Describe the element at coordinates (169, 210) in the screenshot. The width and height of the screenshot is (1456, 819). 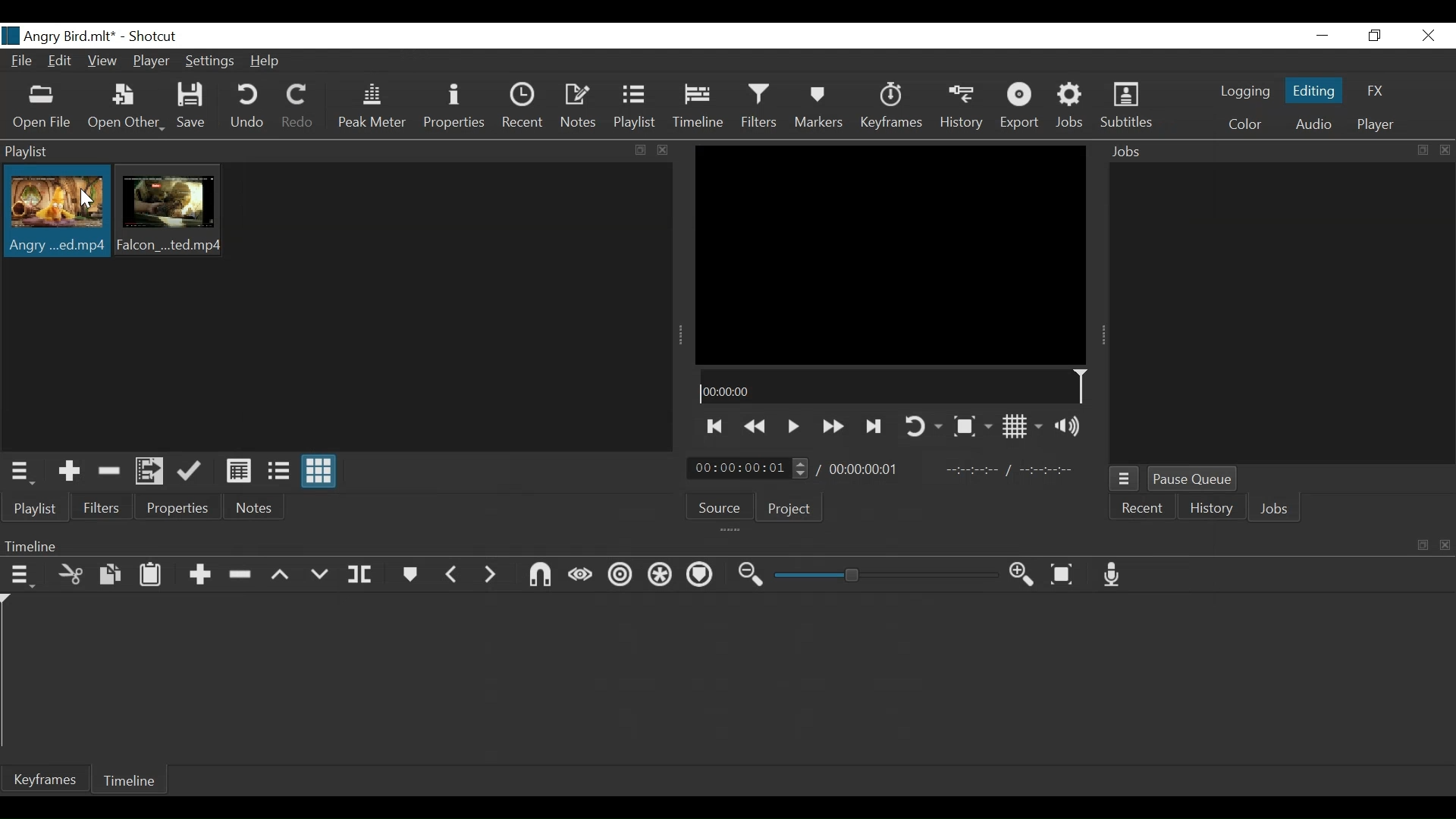
I see `Clip` at that location.